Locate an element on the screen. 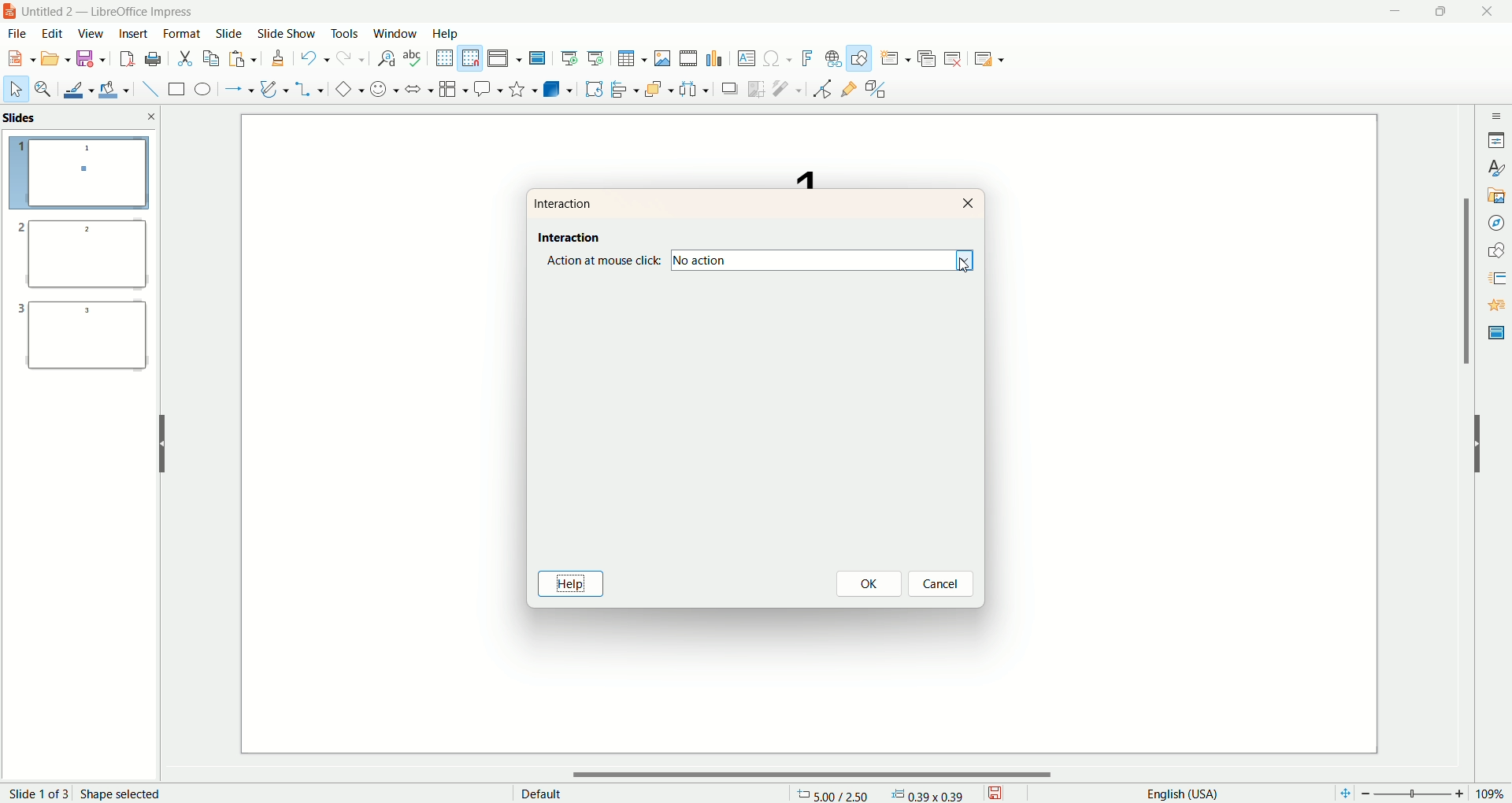 The height and width of the screenshot is (803, 1512). slide is located at coordinates (229, 35).